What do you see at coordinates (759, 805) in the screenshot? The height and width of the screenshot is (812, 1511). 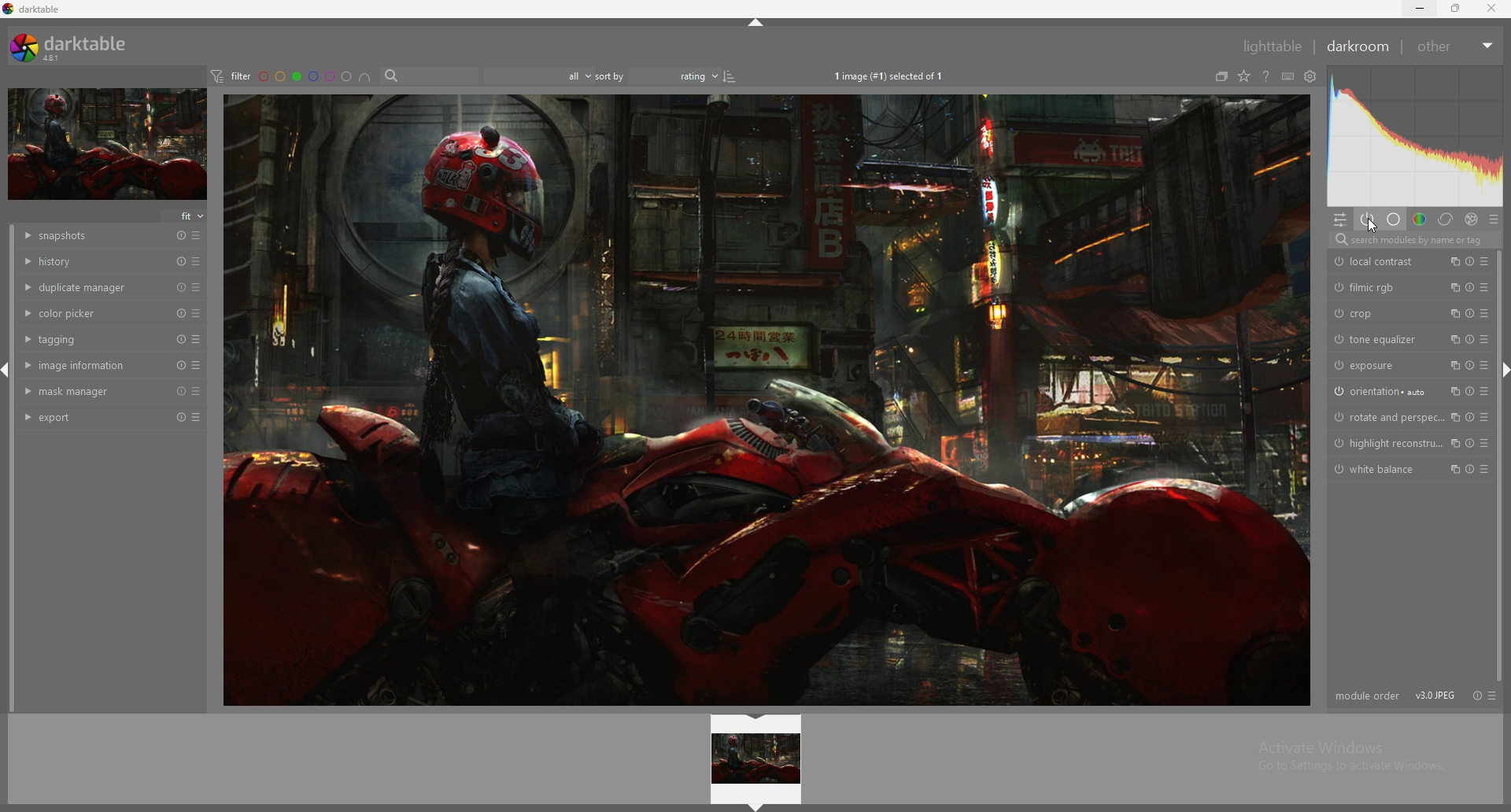 I see `hide` at bounding box center [759, 805].